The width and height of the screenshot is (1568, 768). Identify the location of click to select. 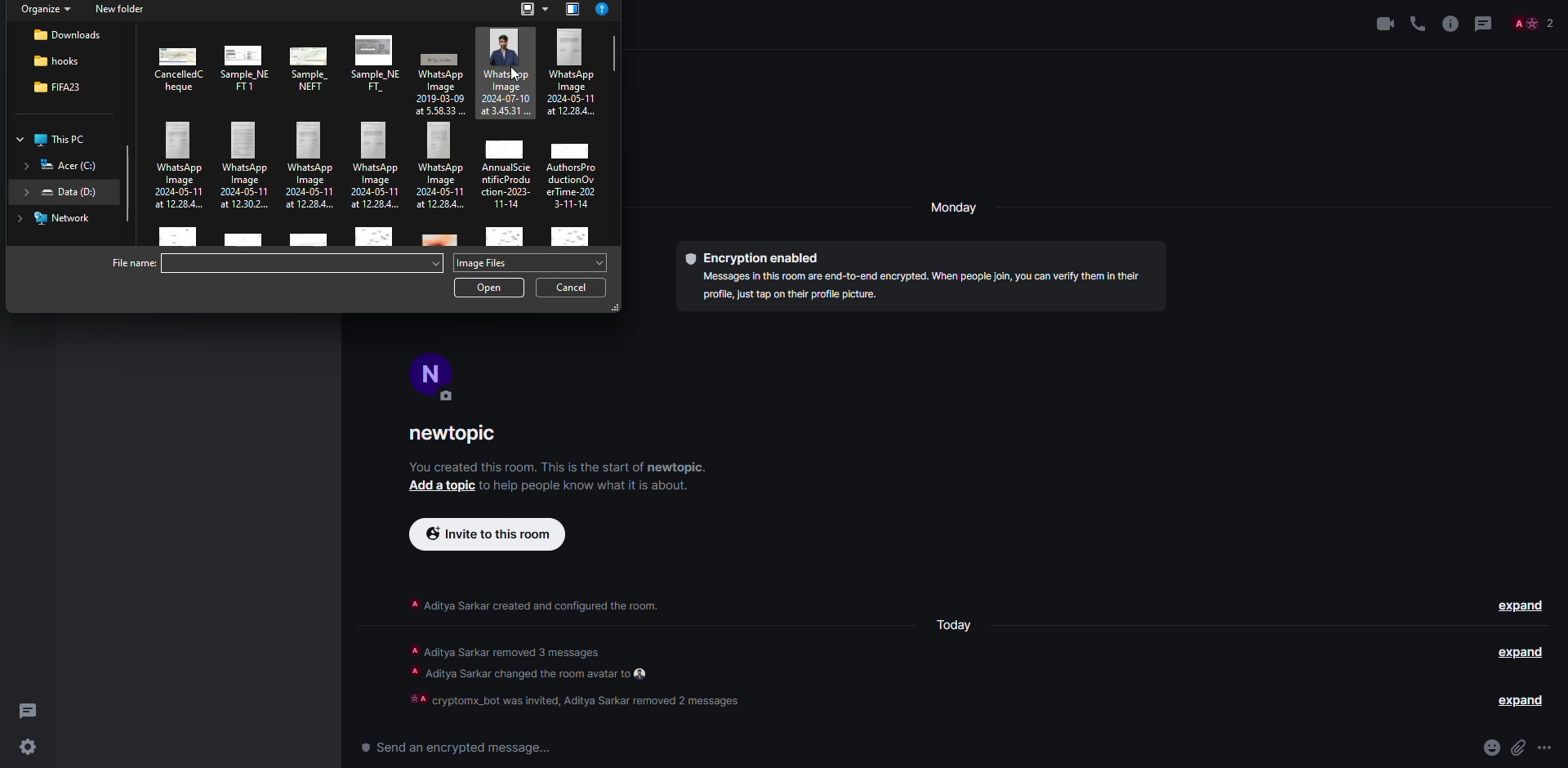
(439, 167).